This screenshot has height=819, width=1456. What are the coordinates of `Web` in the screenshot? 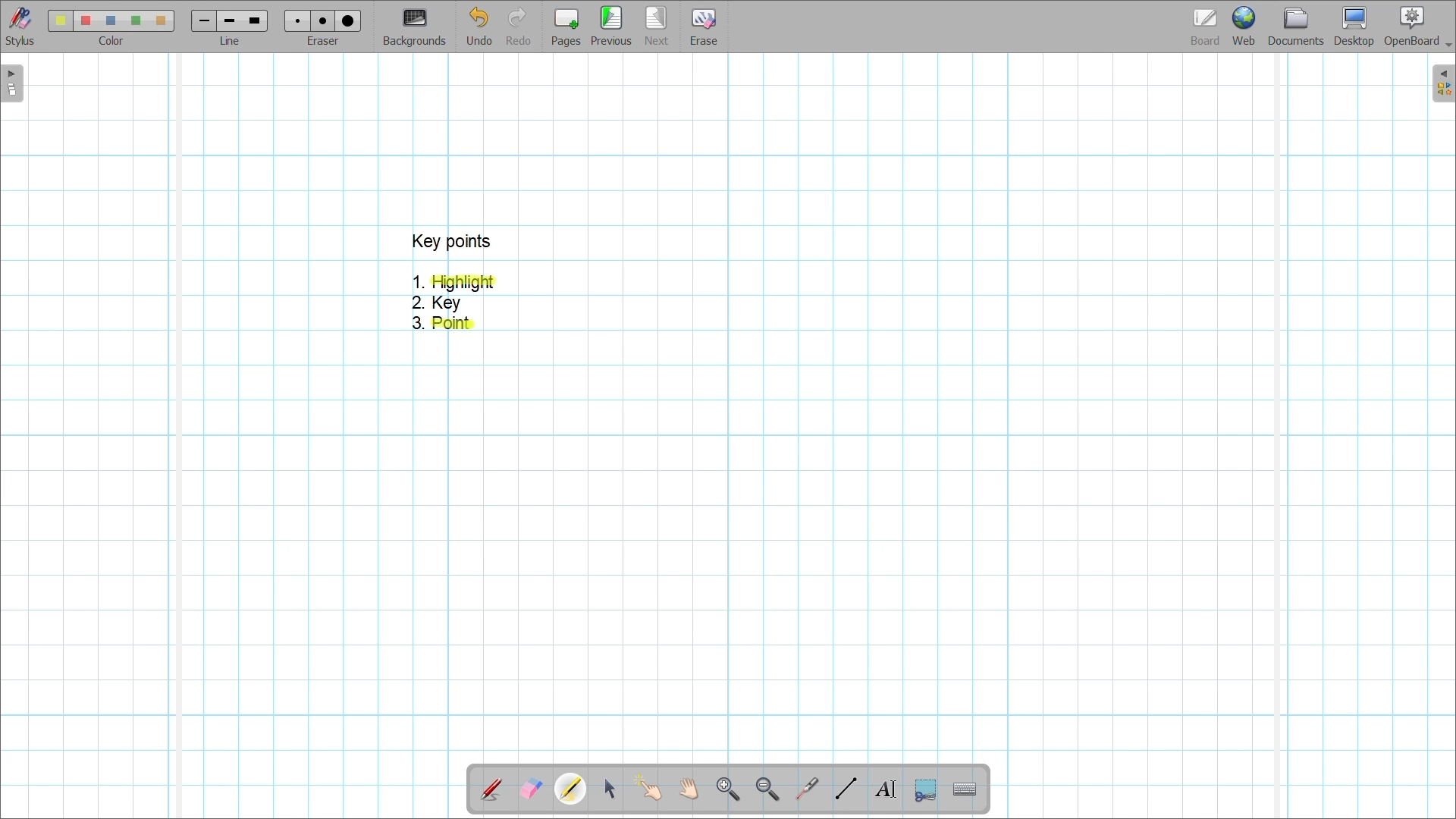 It's located at (1244, 26).